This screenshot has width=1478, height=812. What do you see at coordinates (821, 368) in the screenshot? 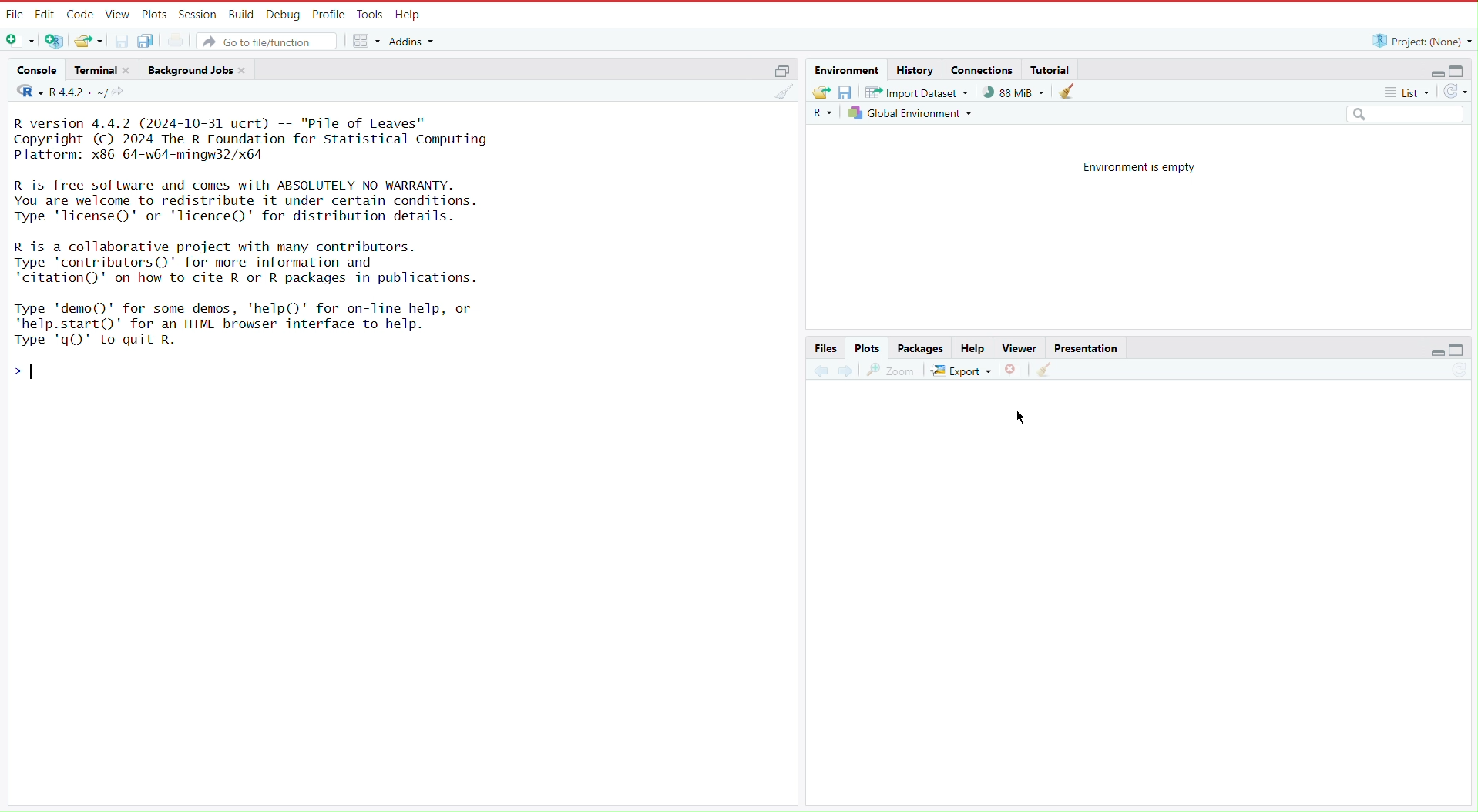
I see `Go back to the previous source location (Ctrl + F9)` at bounding box center [821, 368].